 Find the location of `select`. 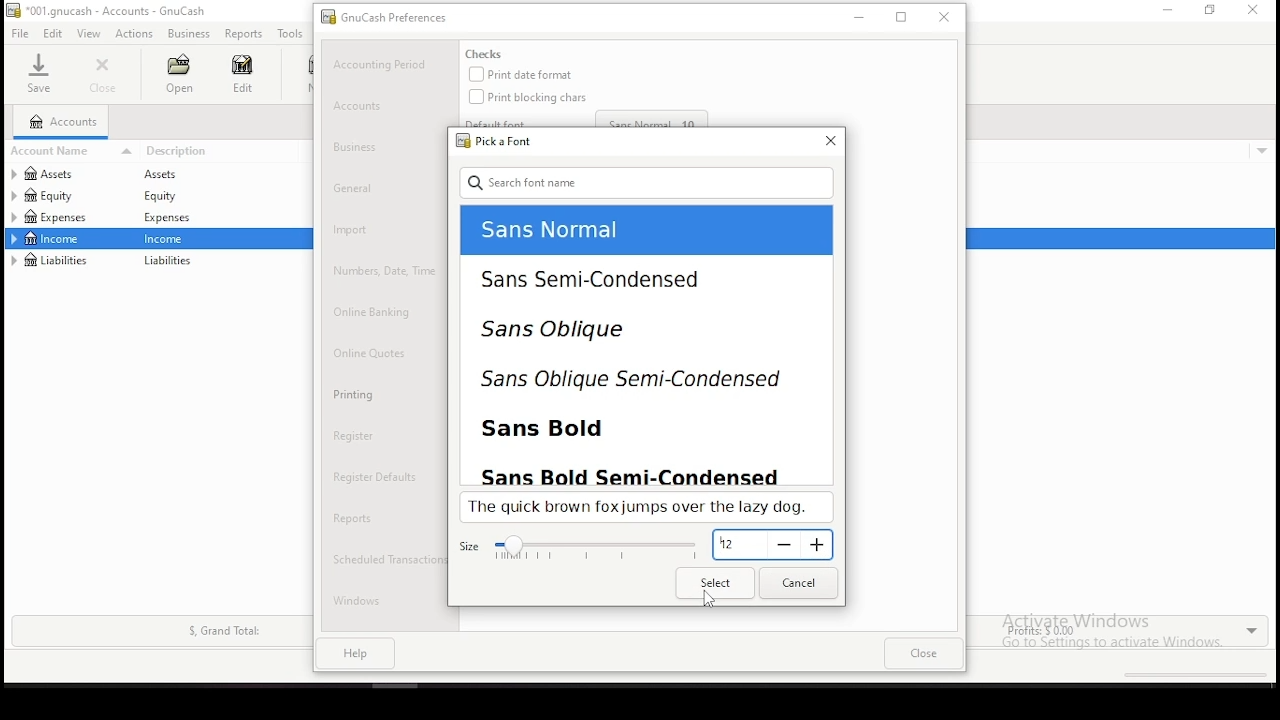

select is located at coordinates (716, 582).